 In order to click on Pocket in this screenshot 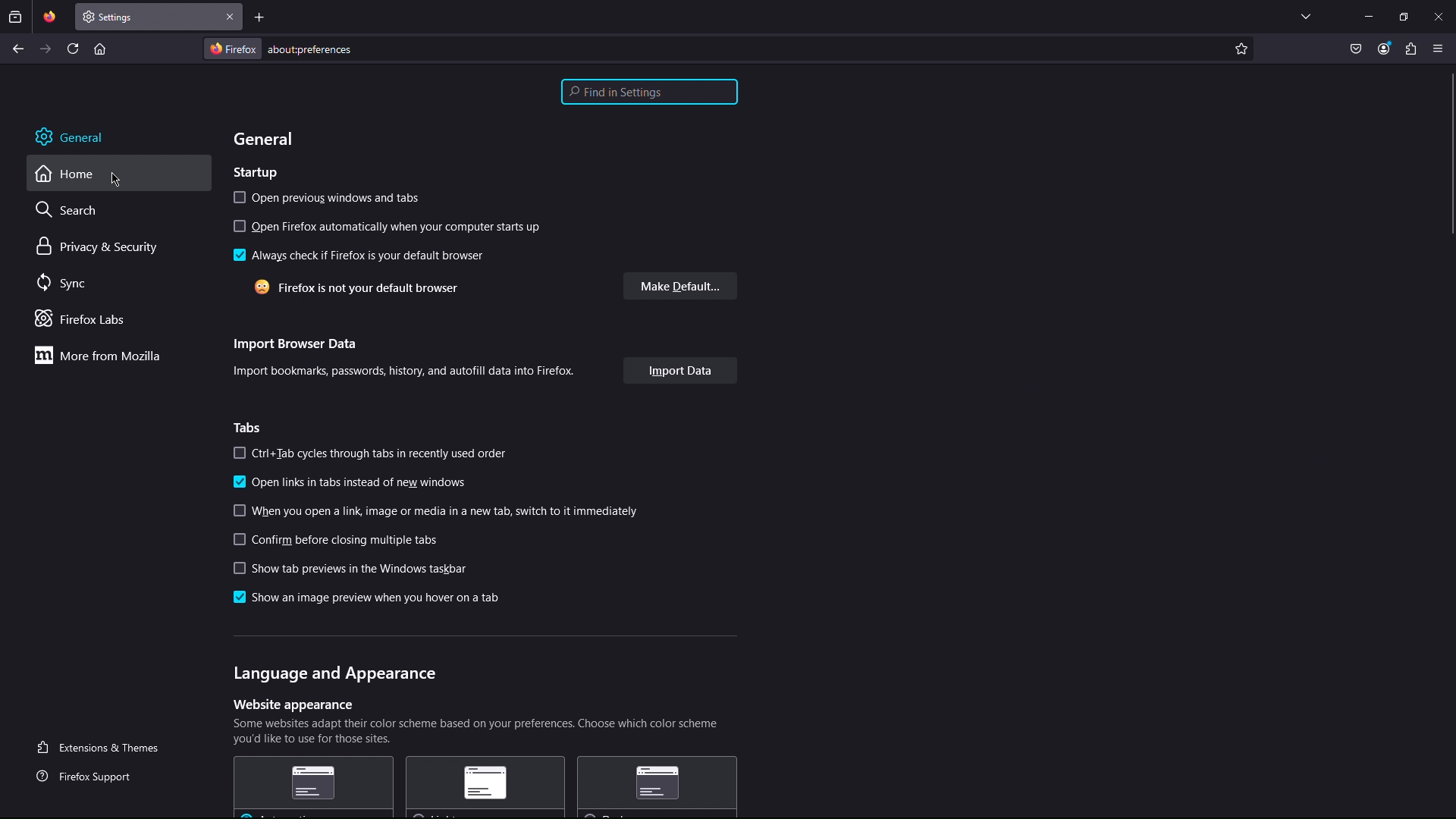, I will do `click(1357, 50)`.